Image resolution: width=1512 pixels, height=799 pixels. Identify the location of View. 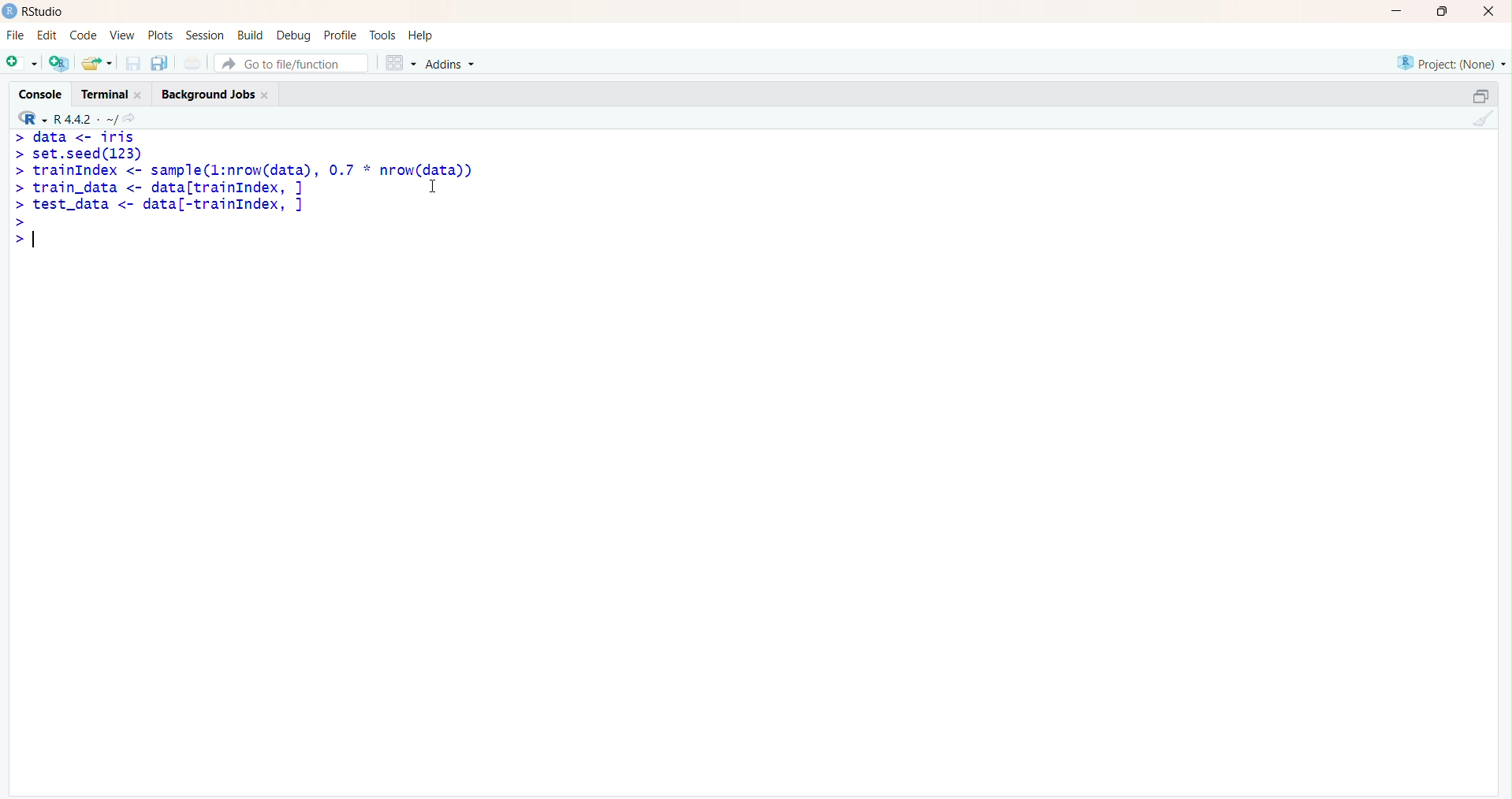
(121, 35).